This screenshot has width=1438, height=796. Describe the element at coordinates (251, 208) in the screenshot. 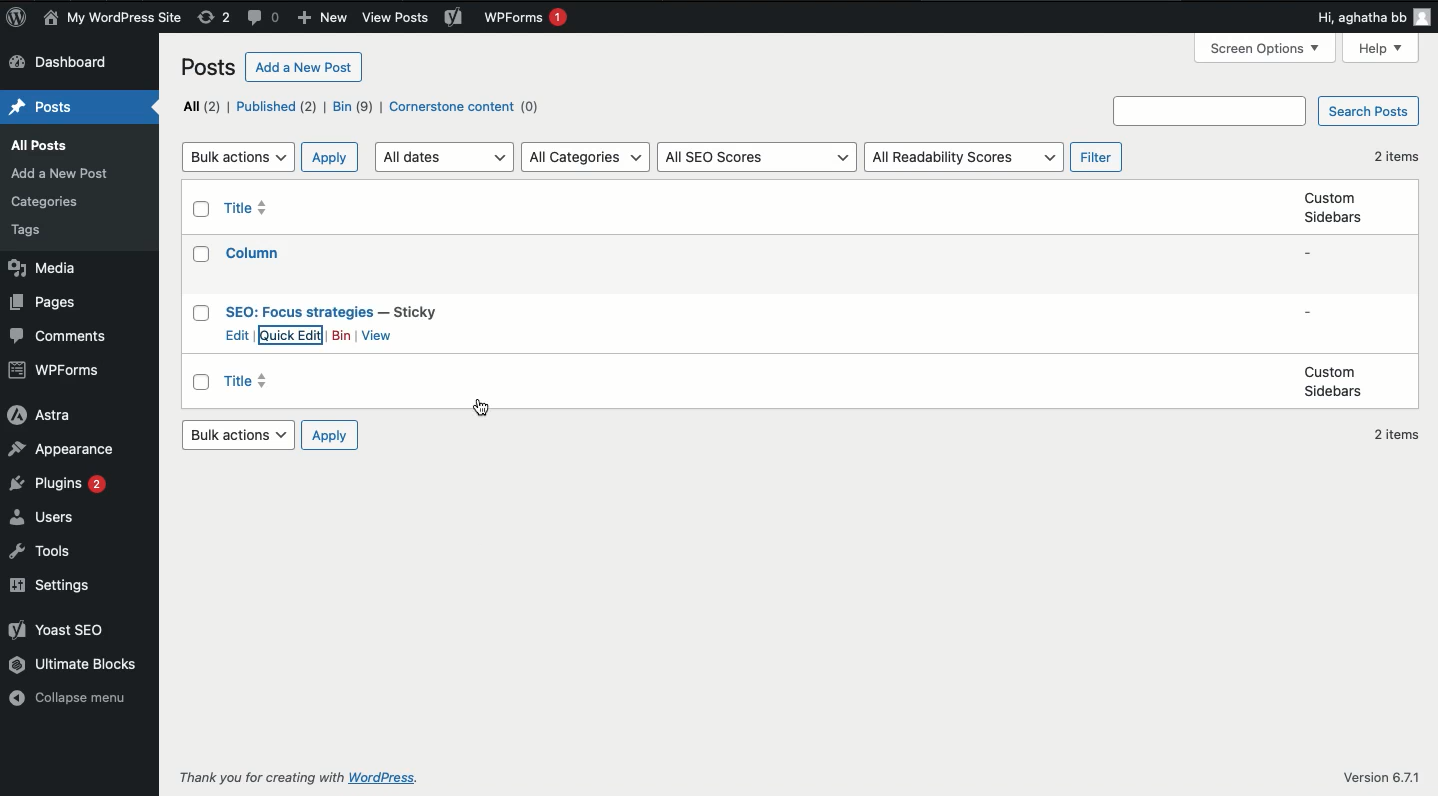

I see `Title` at that location.